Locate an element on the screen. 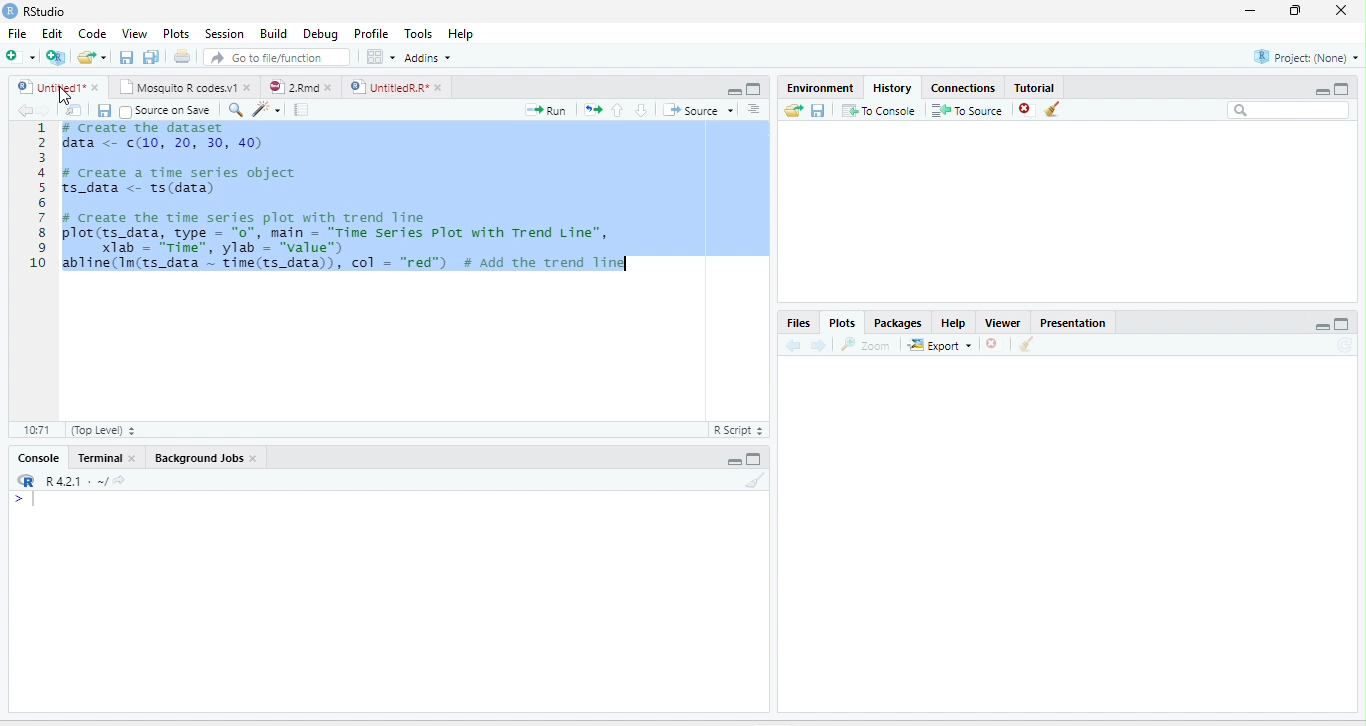 The height and width of the screenshot is (726, 1366). Terminal is located at coordinates (97, 458).